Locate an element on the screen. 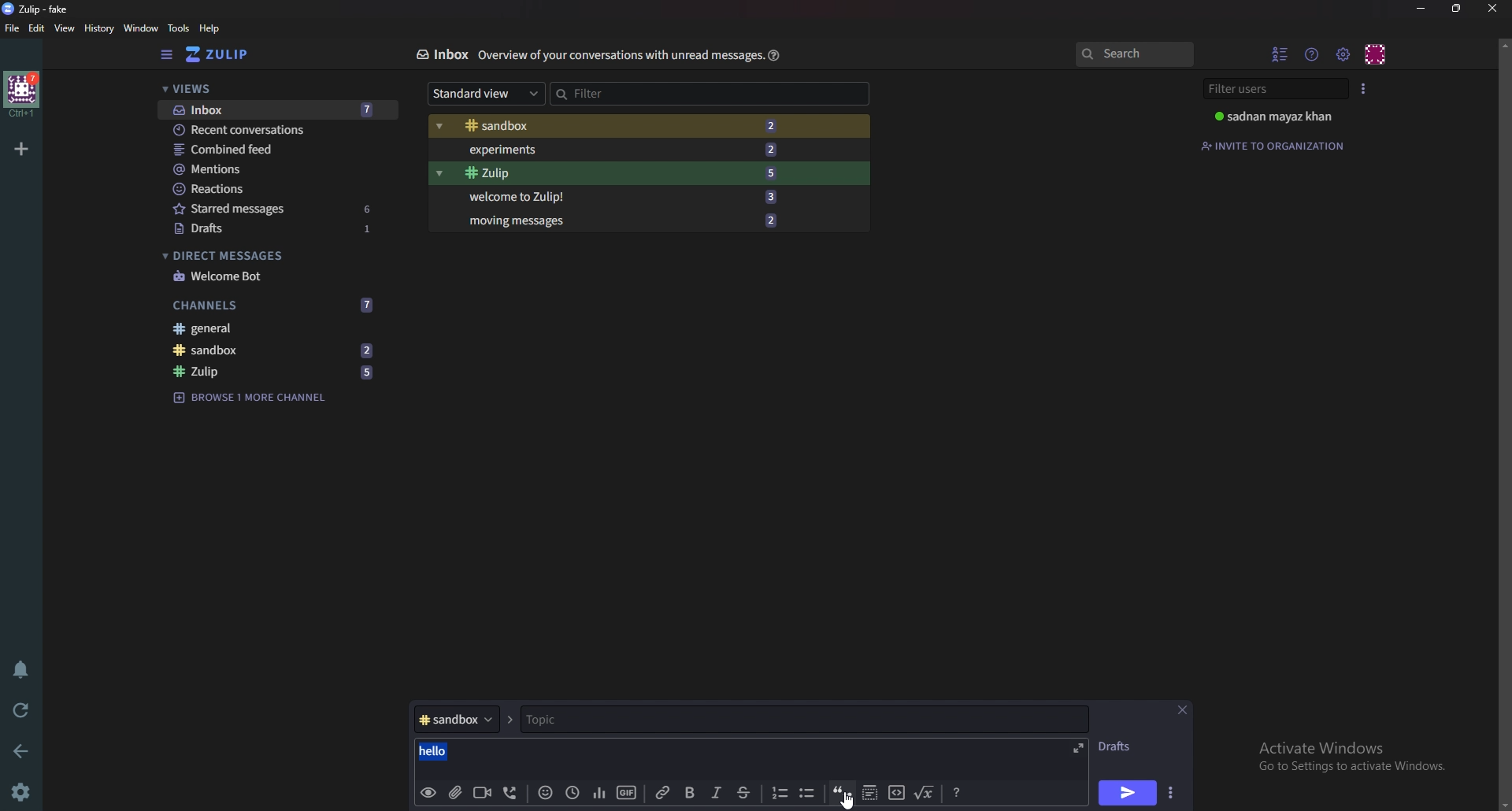 This screenshot has height=811, width=1512. 3 is located at coordinates (777, 198).